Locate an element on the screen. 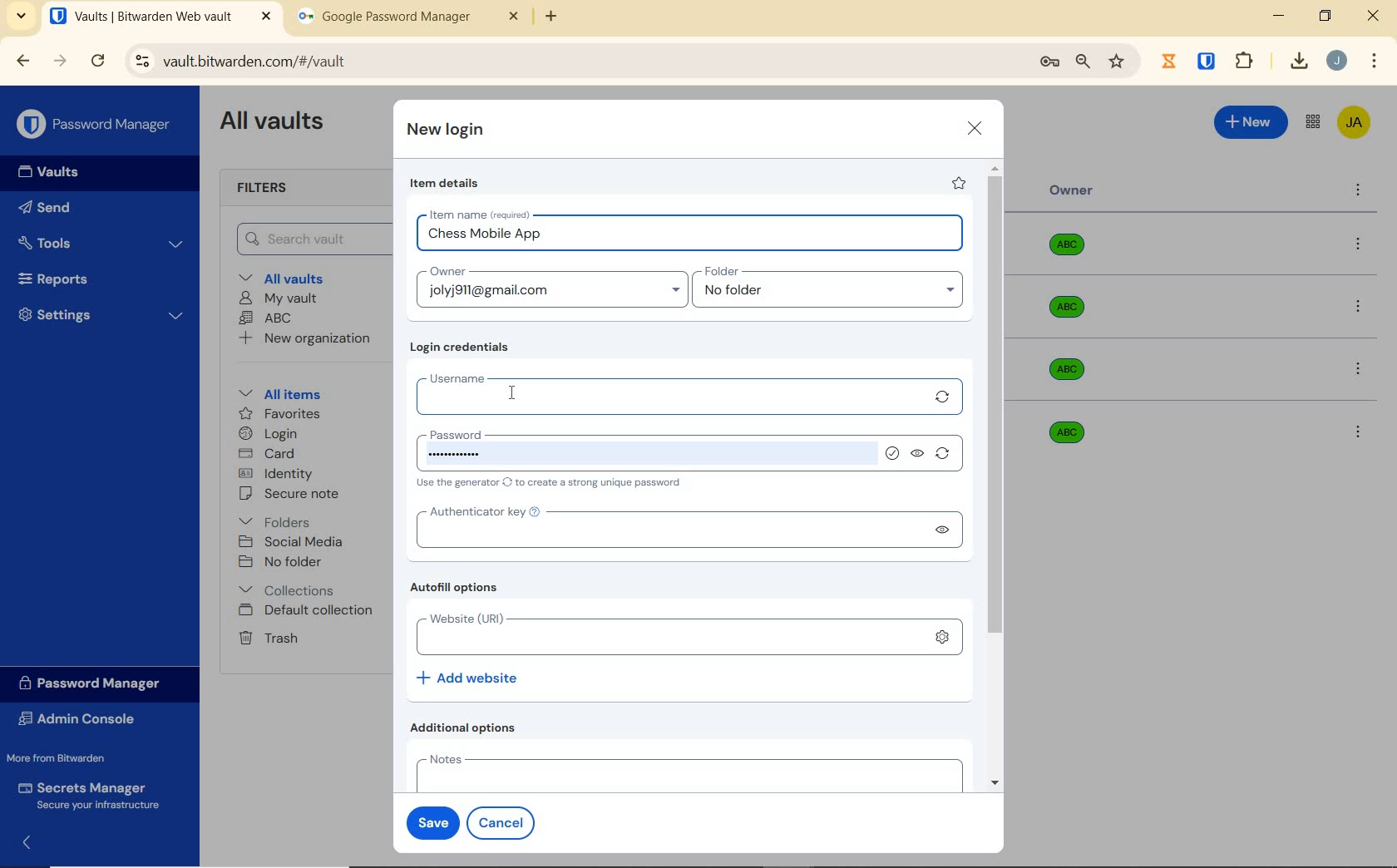 This screenshot has height=868, width=1397. Autofill options is located at coordinates (458, 589).